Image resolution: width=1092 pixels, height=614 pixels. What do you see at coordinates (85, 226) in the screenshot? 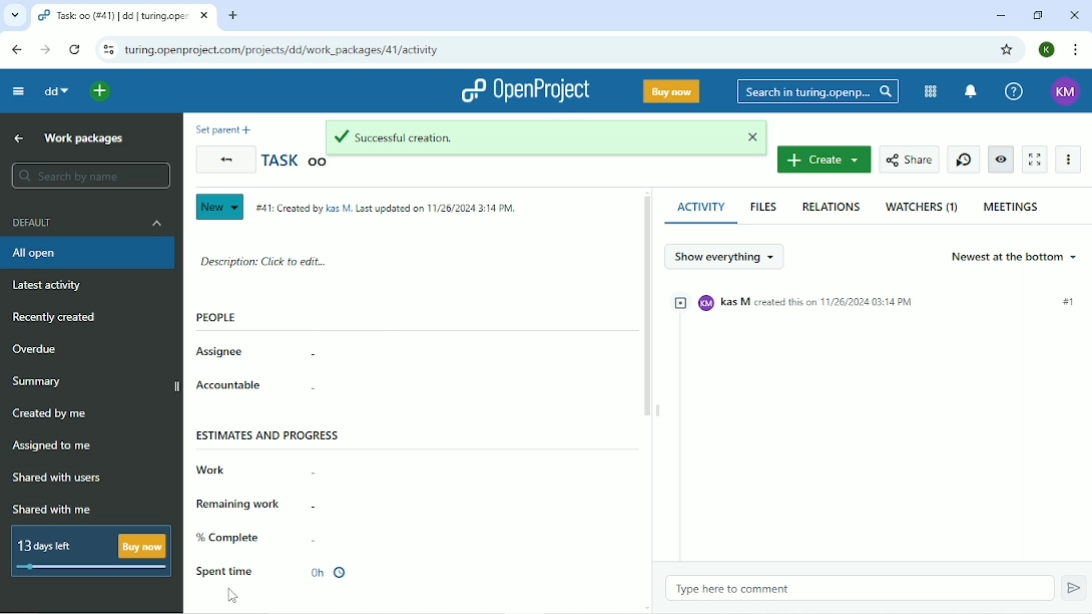
I see `Default` at bounding box center [85, 226].